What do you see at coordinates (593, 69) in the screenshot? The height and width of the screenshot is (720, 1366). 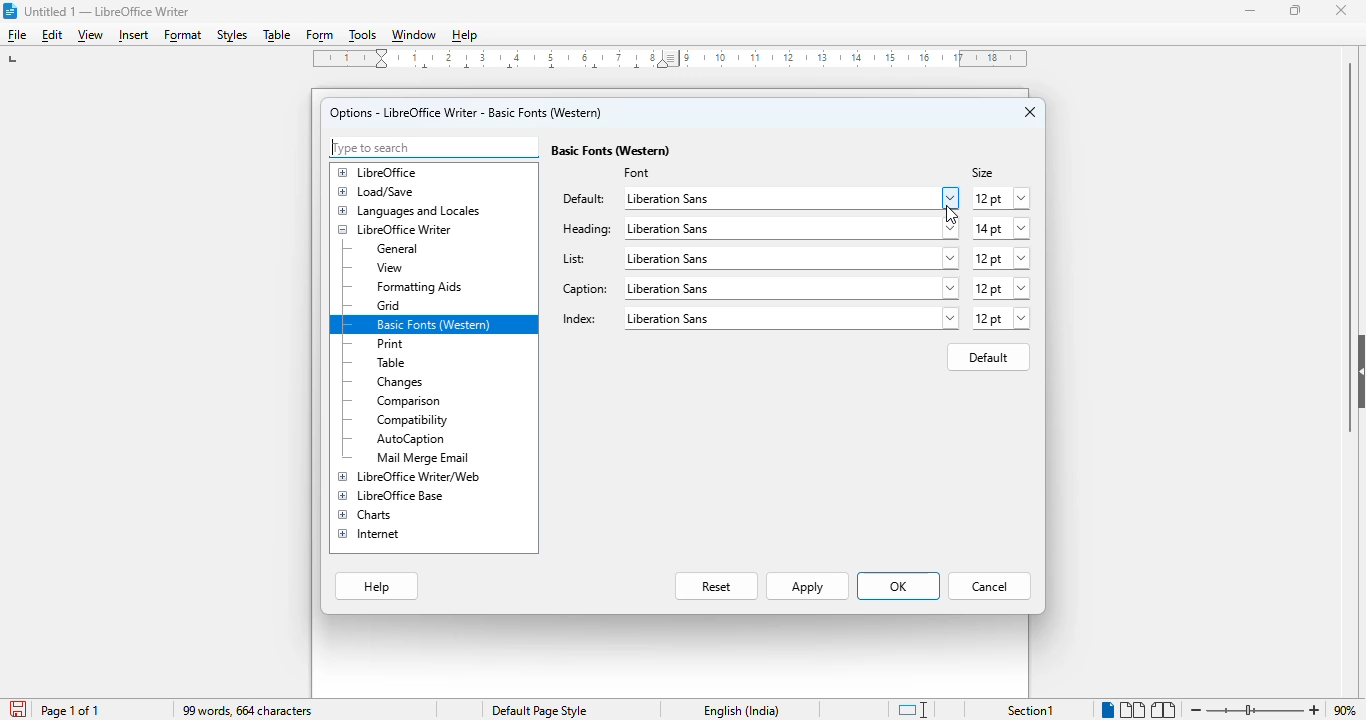 I see `center tab` at bounding box center [593, 69].